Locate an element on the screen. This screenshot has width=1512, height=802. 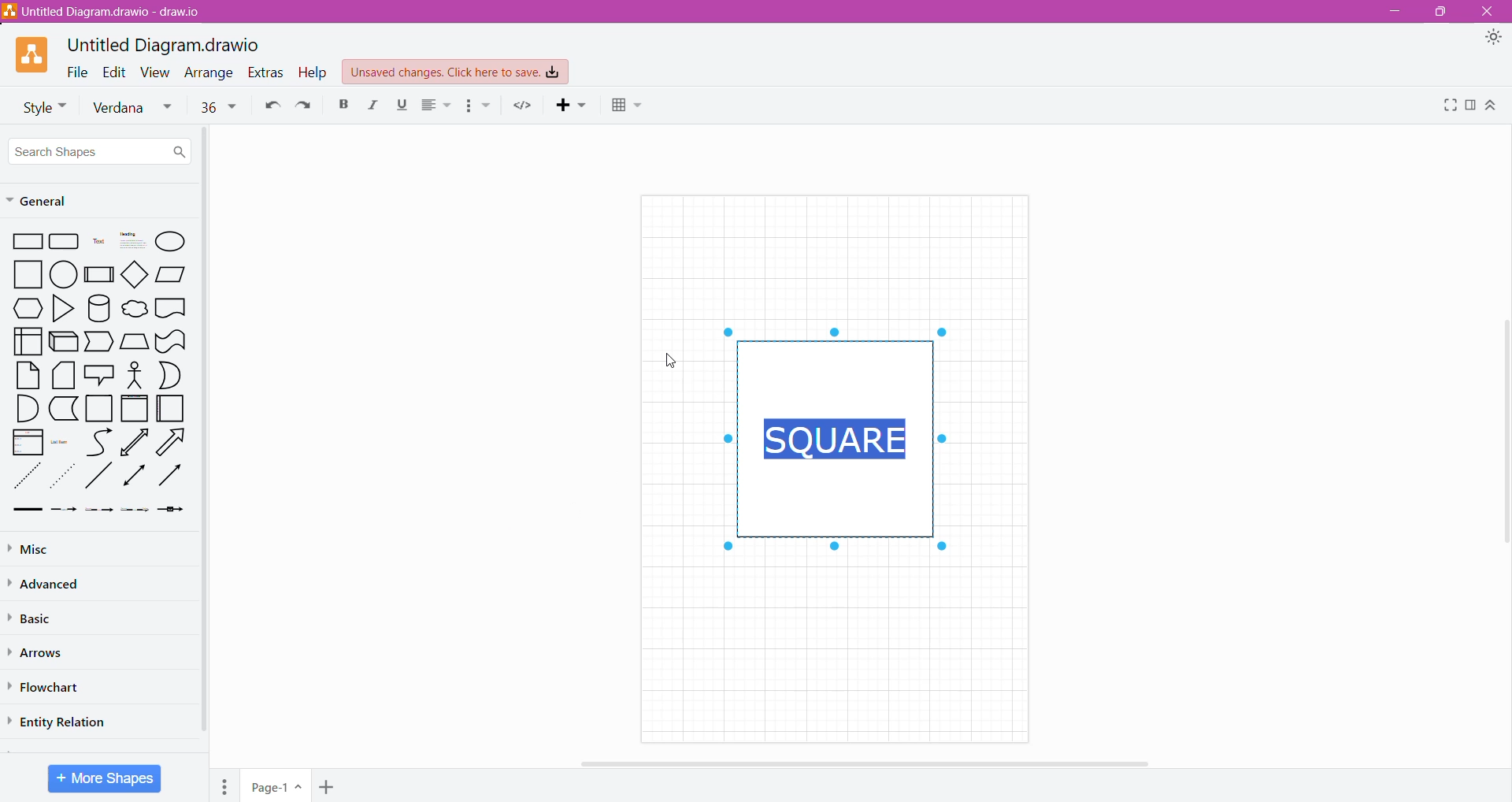
Close is located at coordinates (1490, 12).